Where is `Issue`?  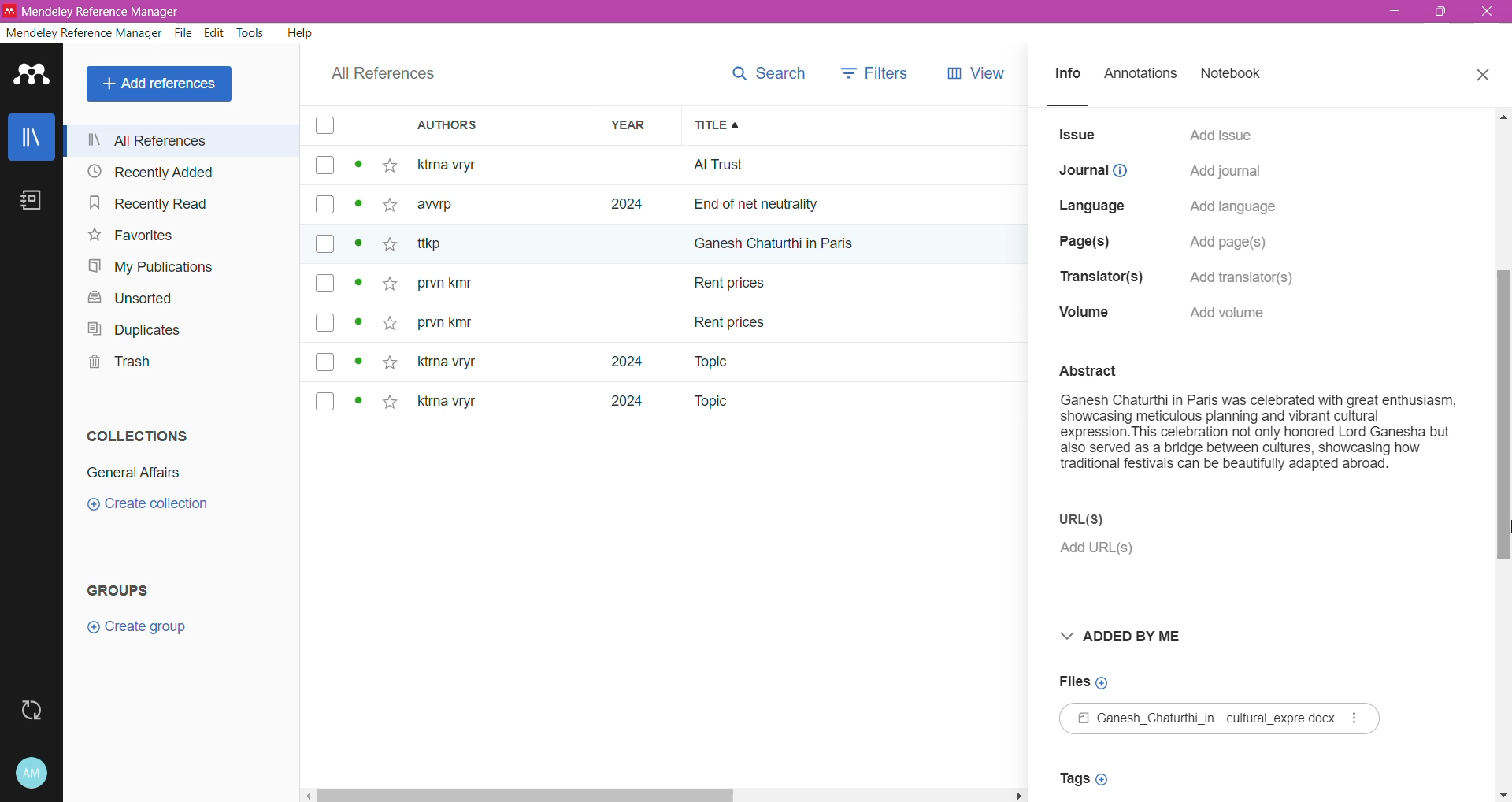 Issue is located at coordinates (1078, 135).